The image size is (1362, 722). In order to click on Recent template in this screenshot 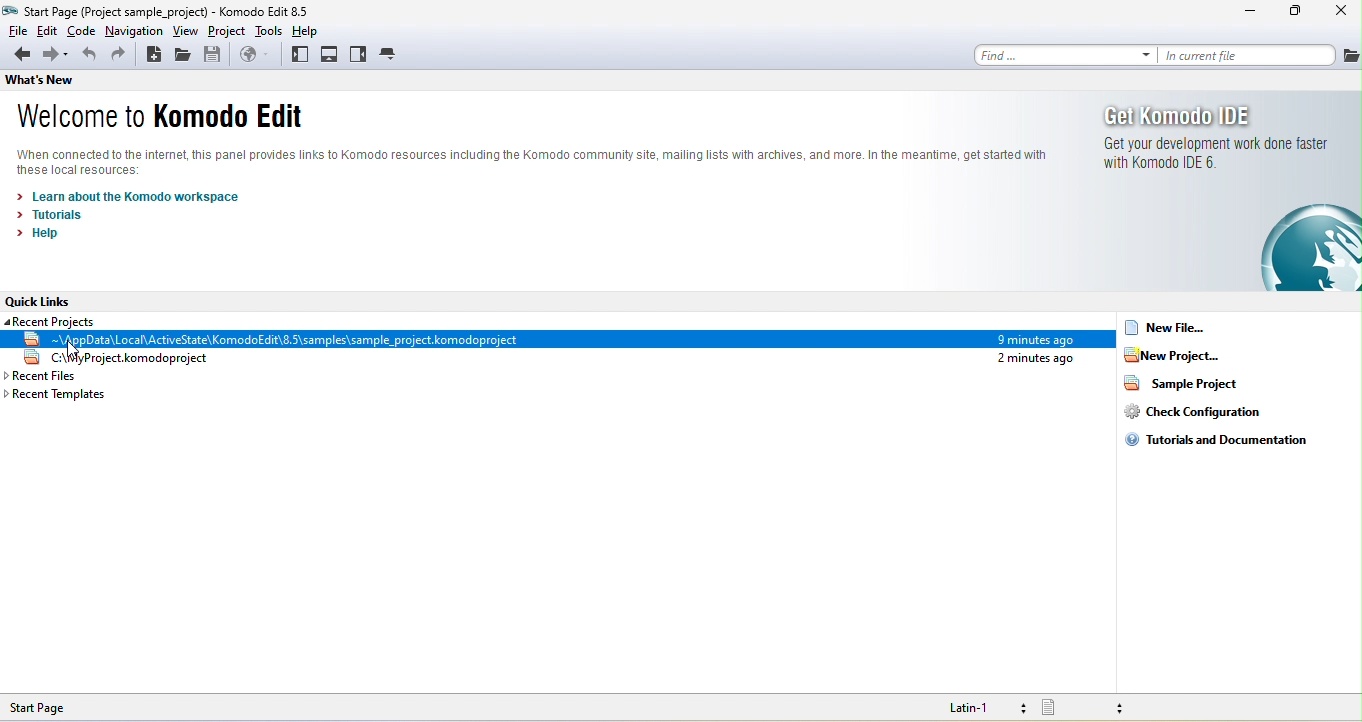, I will do `click(79, 394)`.